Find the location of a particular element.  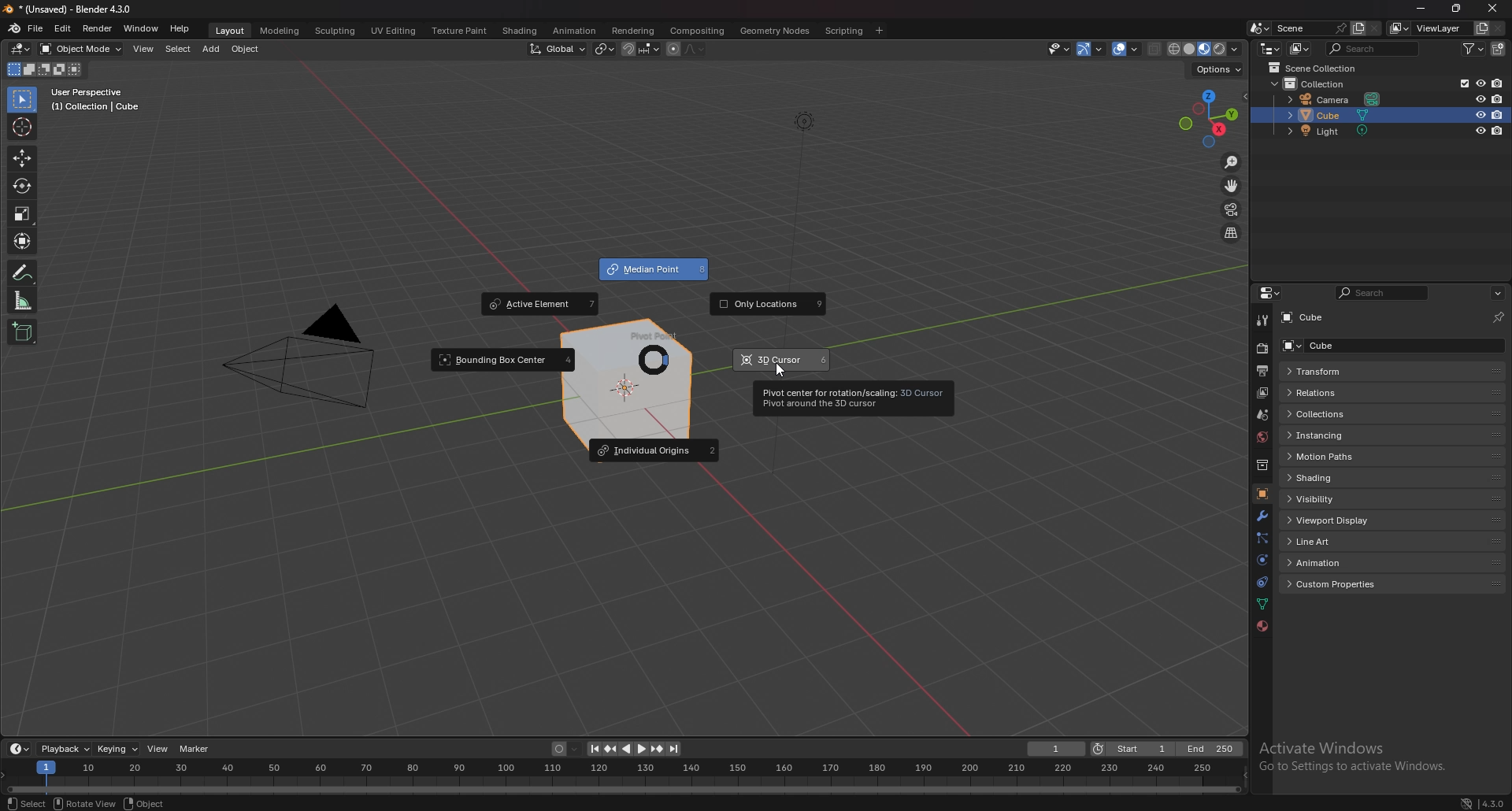

keying is located at coordinates (116, 750).